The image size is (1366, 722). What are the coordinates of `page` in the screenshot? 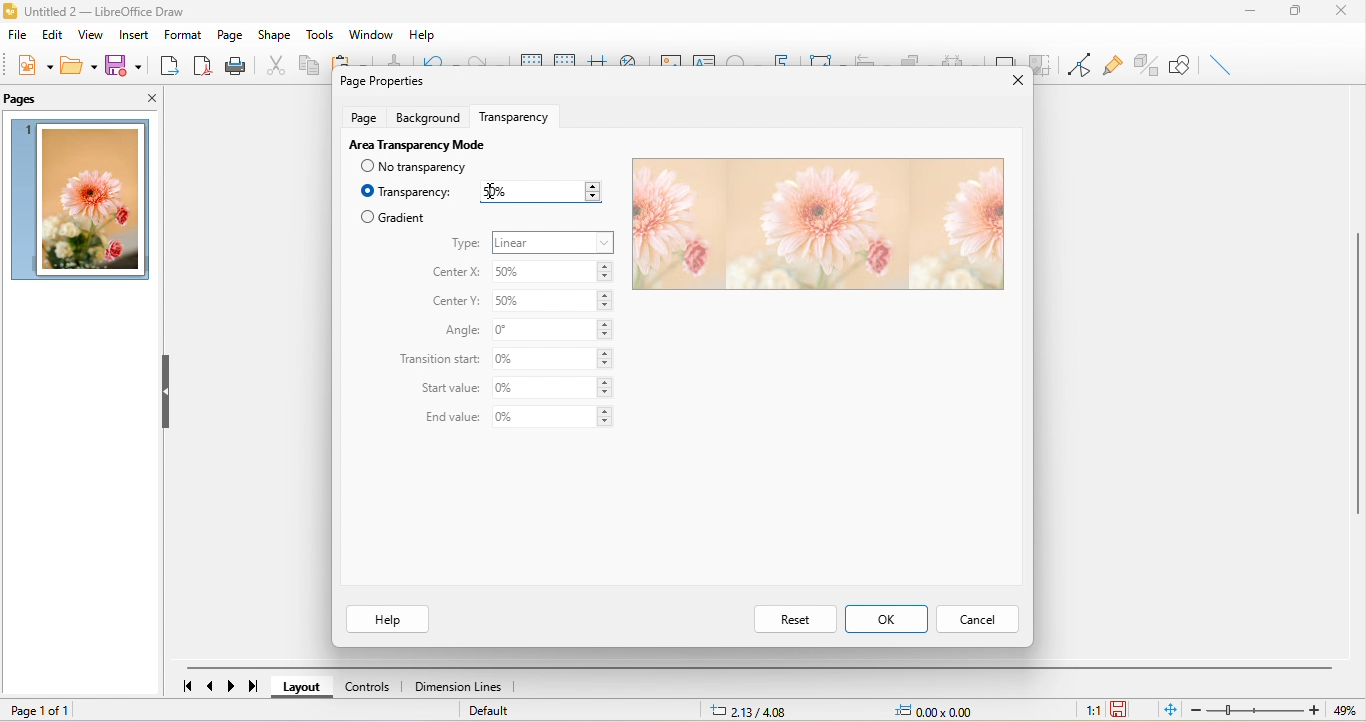 It's located at (232, 34).